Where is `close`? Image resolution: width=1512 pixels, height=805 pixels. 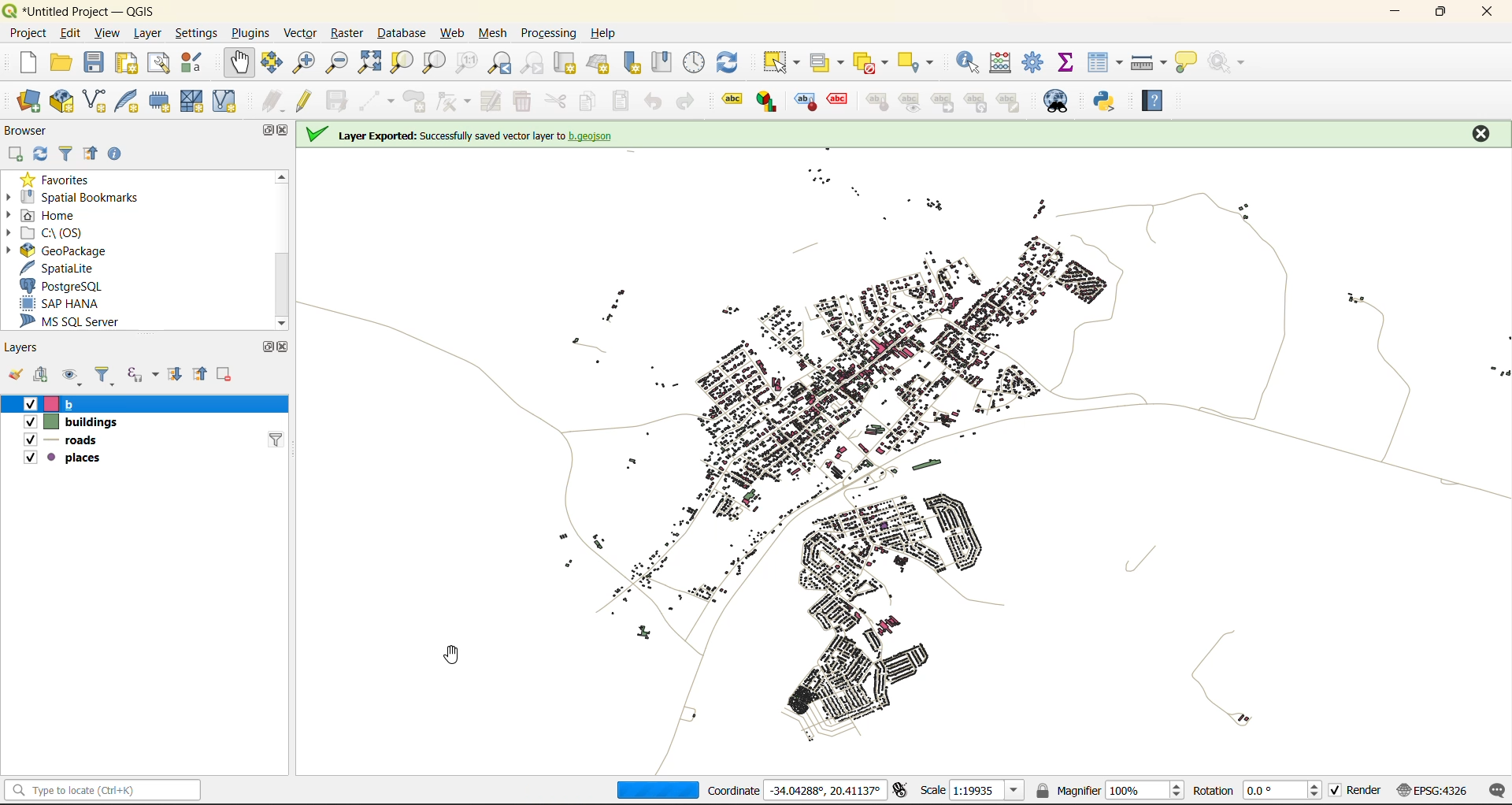
close is located at coordinates (1487, 13).